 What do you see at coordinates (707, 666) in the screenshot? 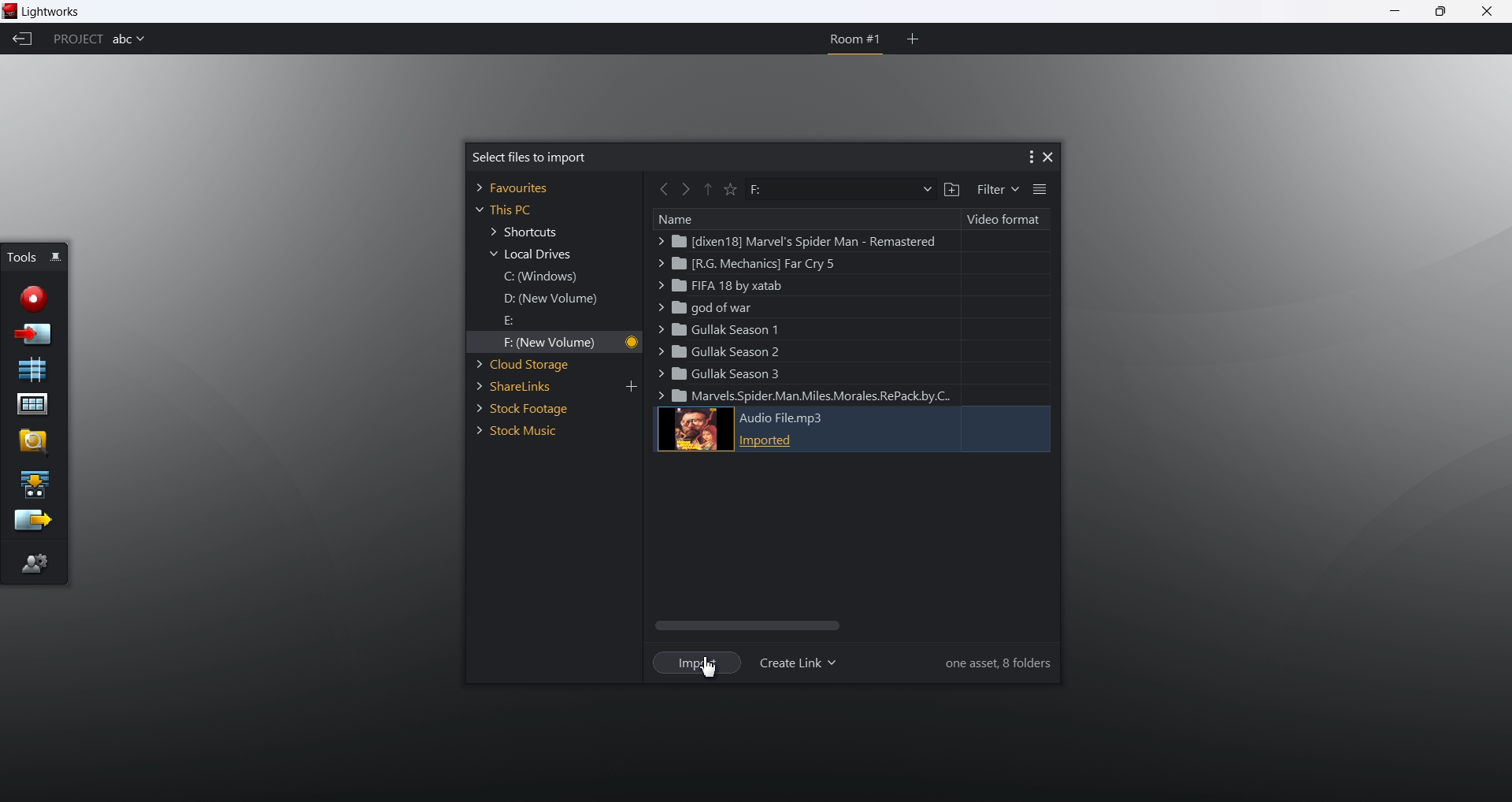
I see `cursor` at bounding box center [707, 666].